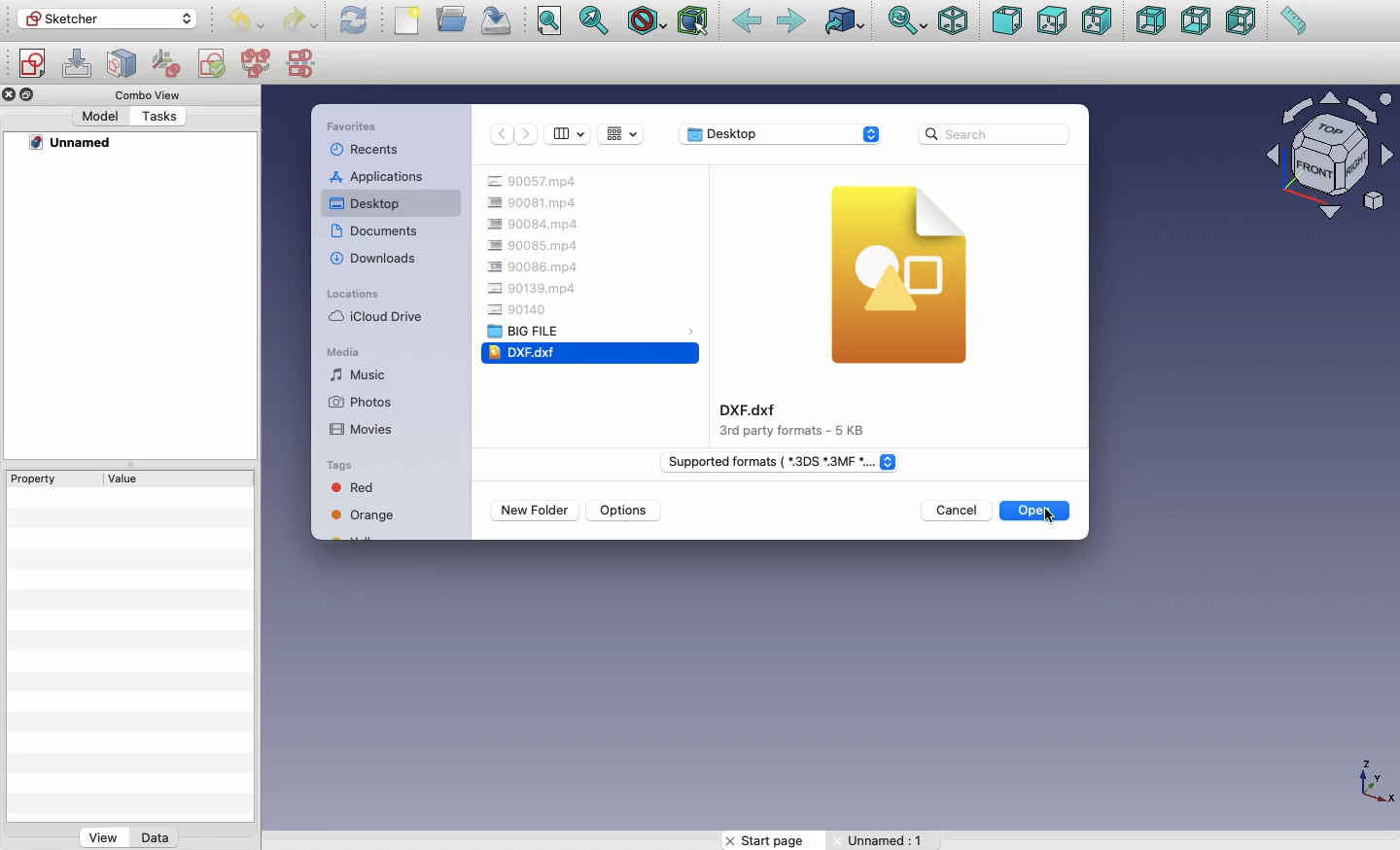 Image resolution: width=1400 pixels, height=850 pixels. What do you see at coordinates (1241, 20) in the screenshot?
I see `Left` at bounding box center [1241, 20].